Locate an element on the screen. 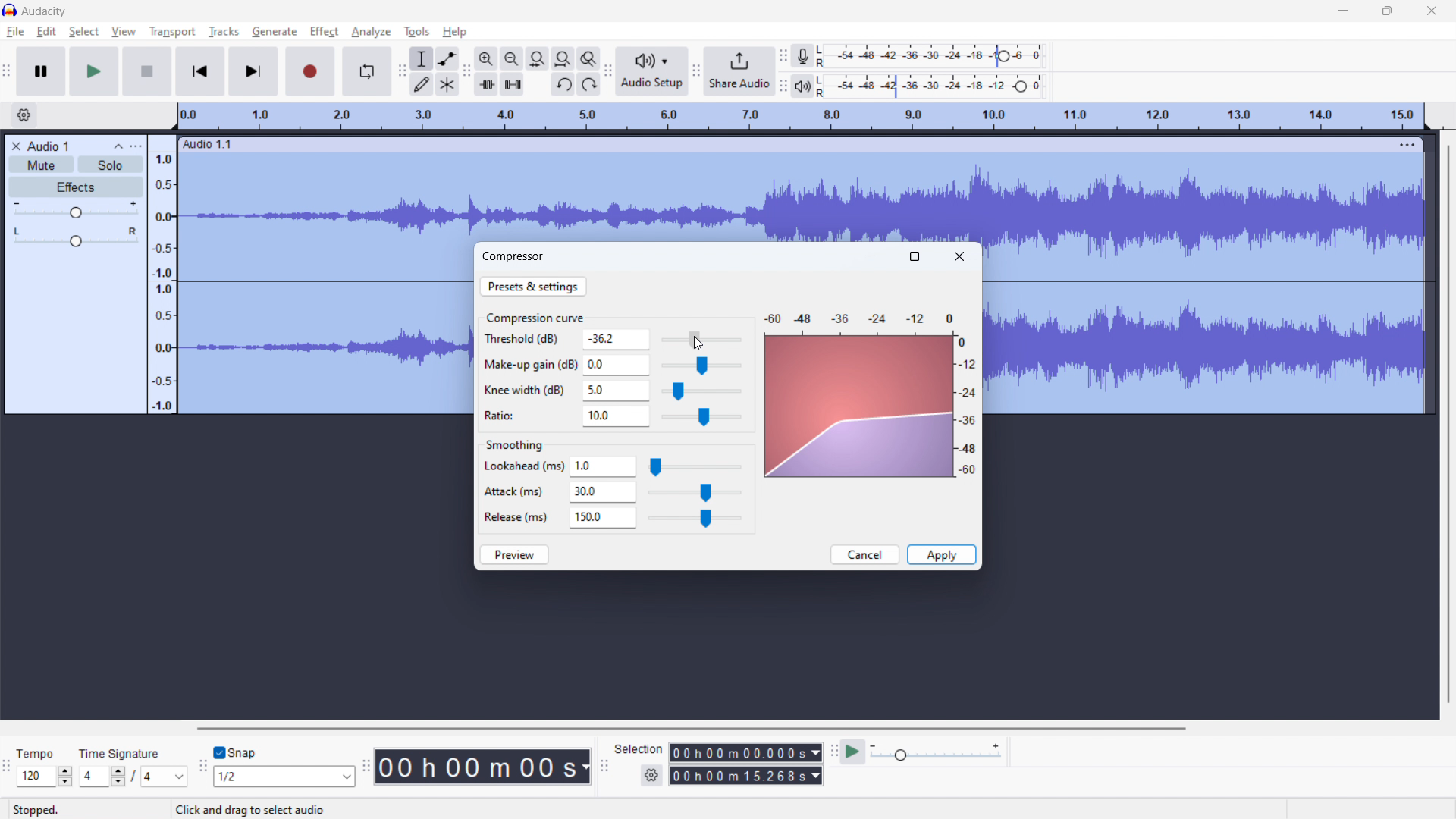   is located at coordinates (401, 71).